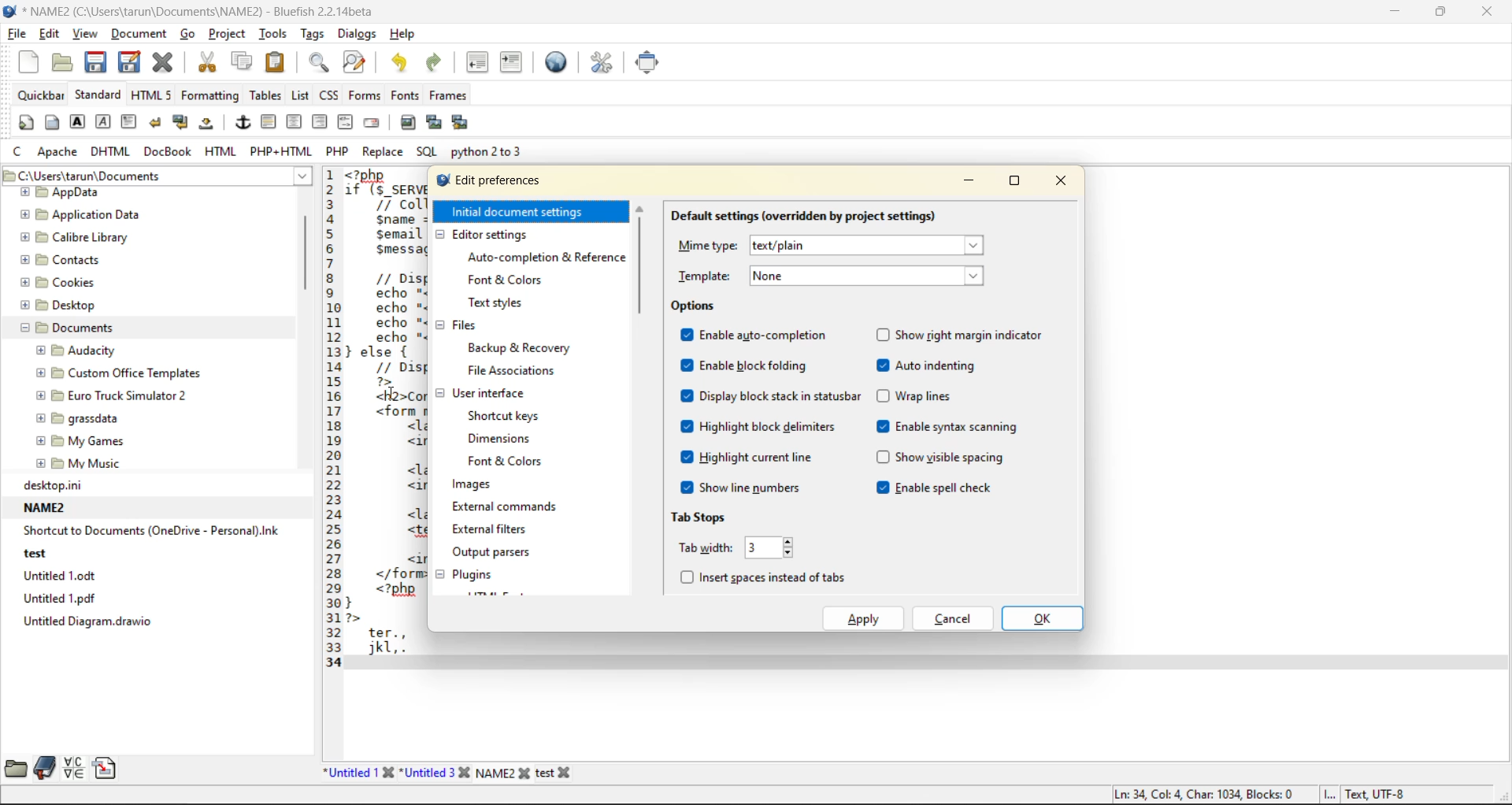 This screenshot has width=1512, height=805. Describe the element at coordinates (410, 121) in the screenshot. I see `insert image` at that location.